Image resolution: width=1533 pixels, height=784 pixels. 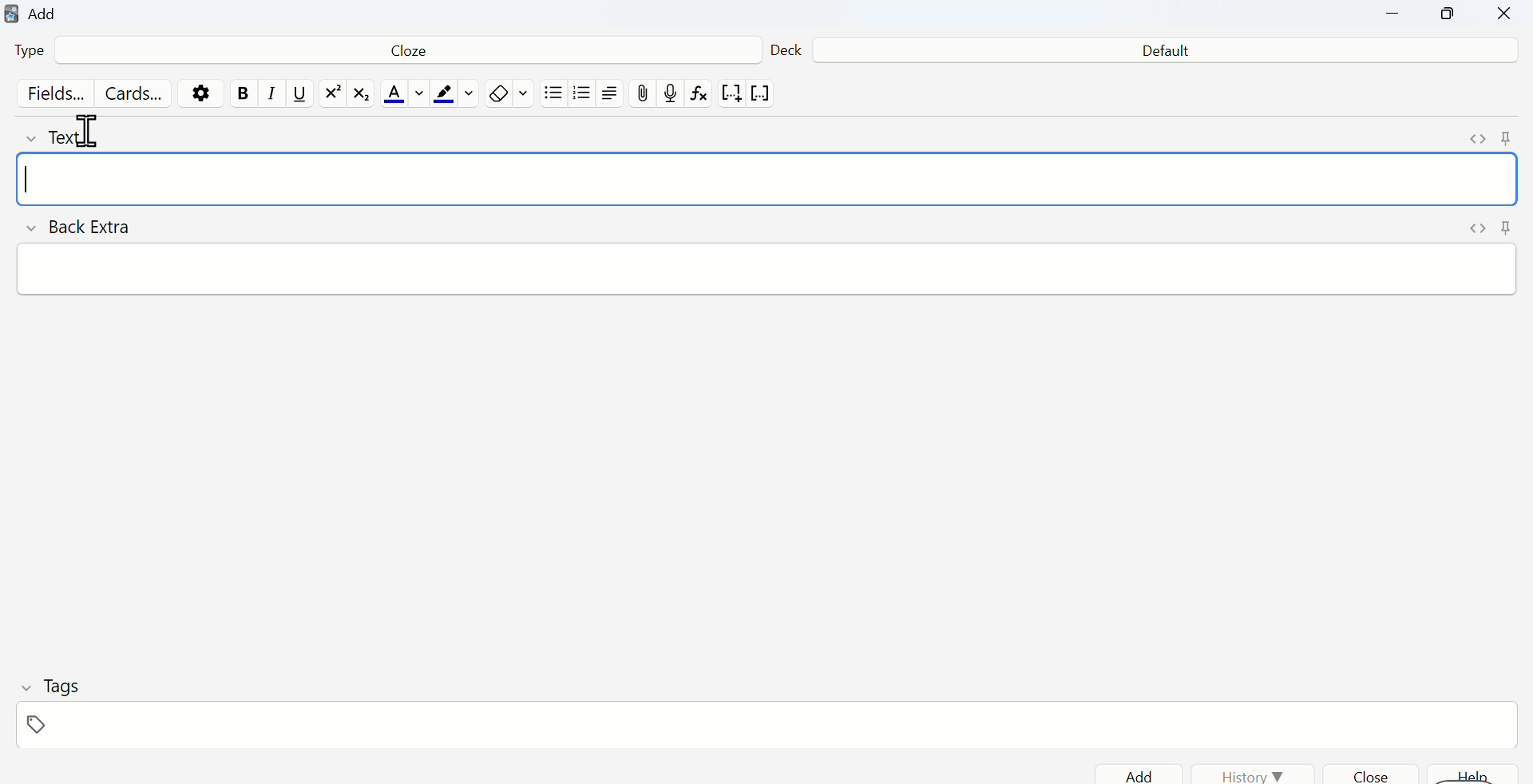 I want to click on Tags, so click(x=49, y=685).